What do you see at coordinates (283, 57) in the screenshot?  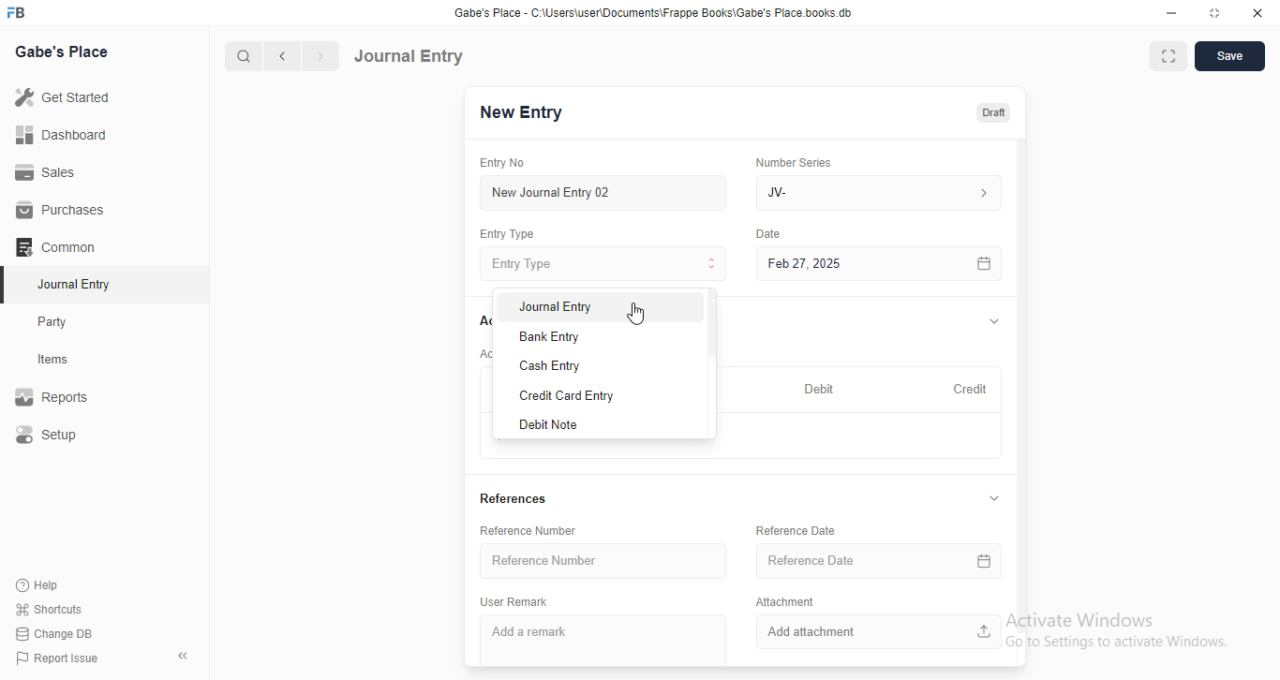 I see `Previous` at bounding box center [283, 57].